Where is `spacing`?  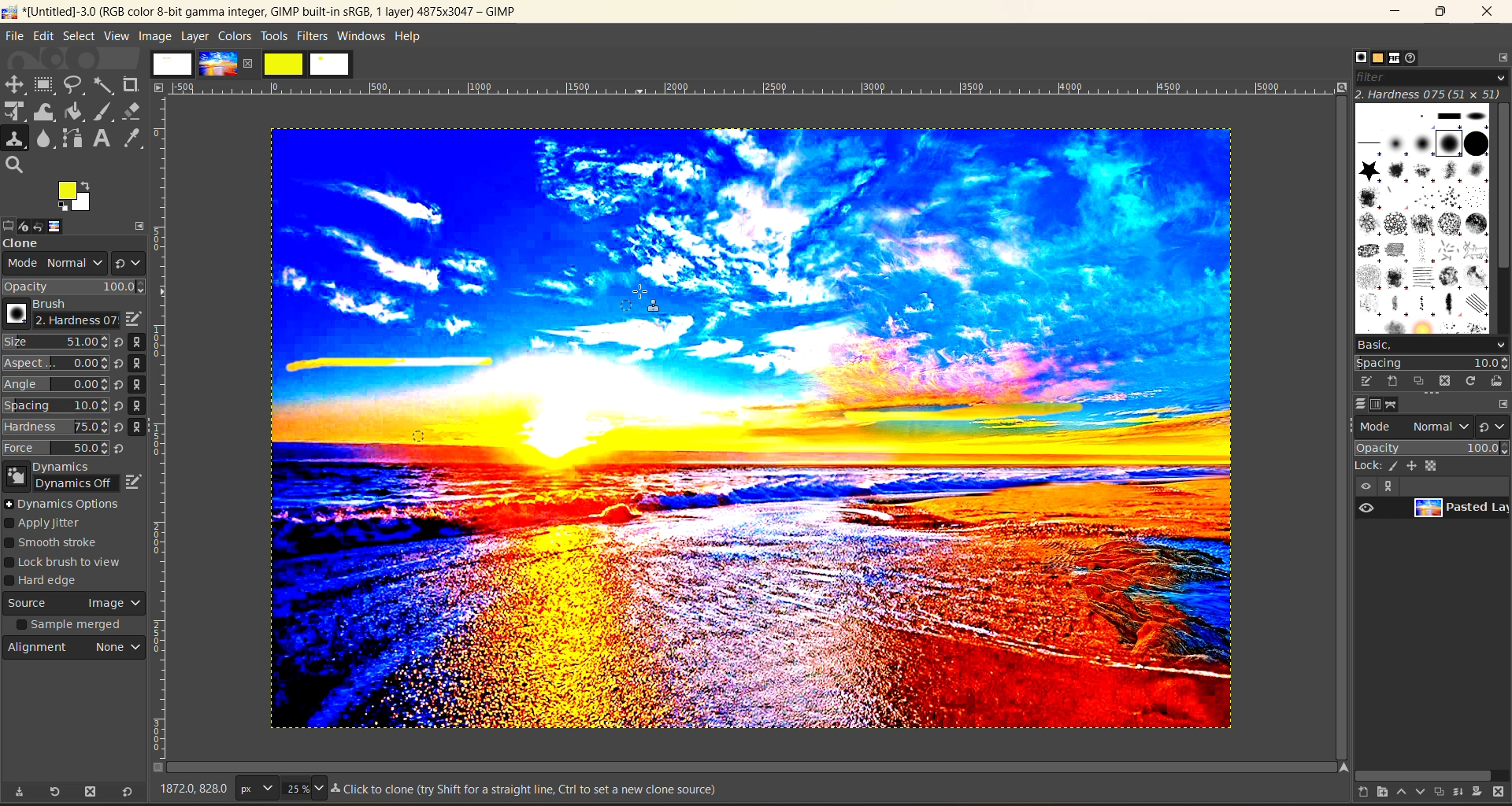 spacing is located at coordinates (1432, 363).